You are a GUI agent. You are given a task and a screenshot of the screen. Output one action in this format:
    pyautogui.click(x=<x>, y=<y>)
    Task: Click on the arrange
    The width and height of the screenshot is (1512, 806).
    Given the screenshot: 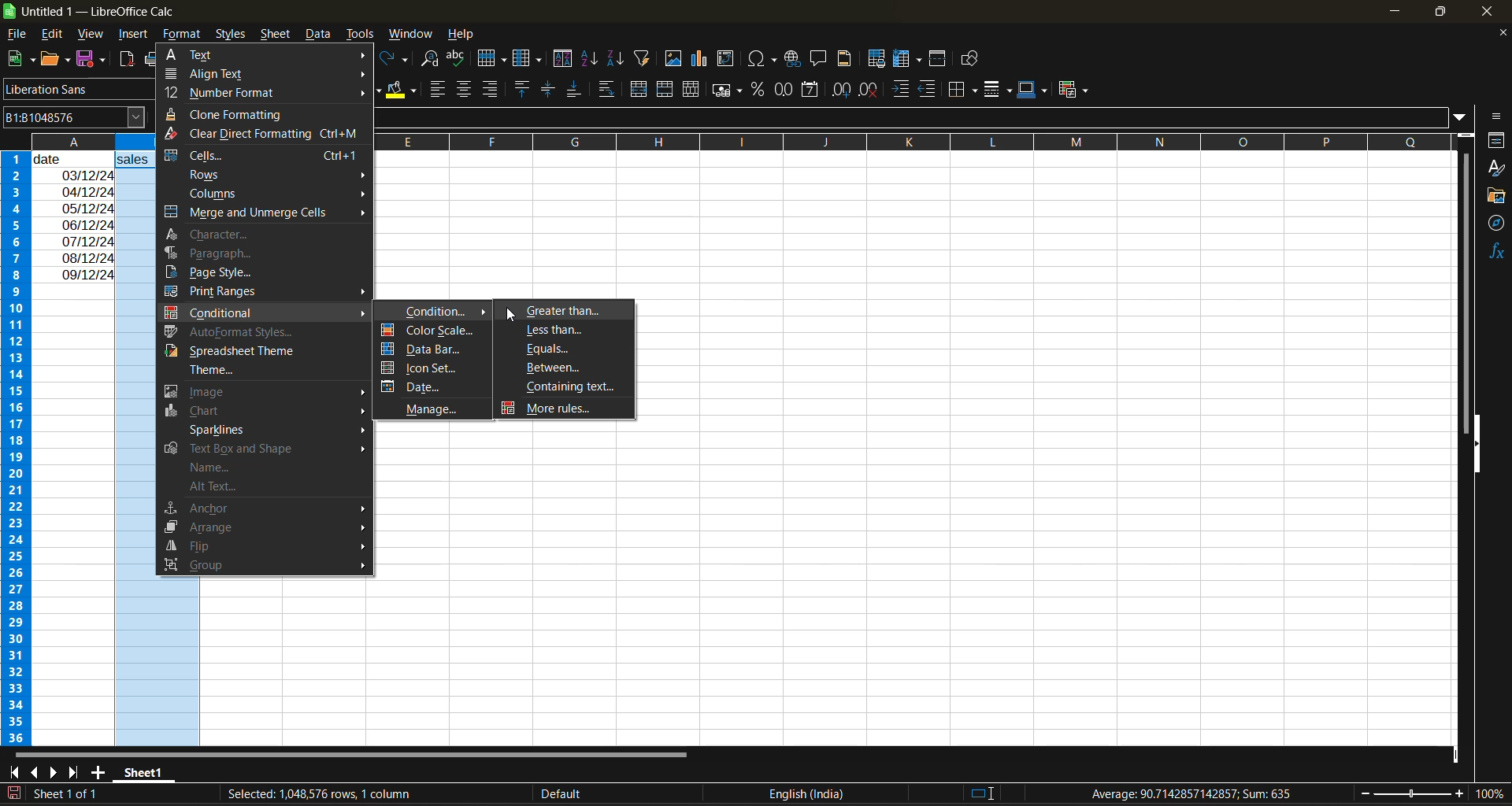 What is the action you would take?
    pyautogui.click(x=265, y=527)
    